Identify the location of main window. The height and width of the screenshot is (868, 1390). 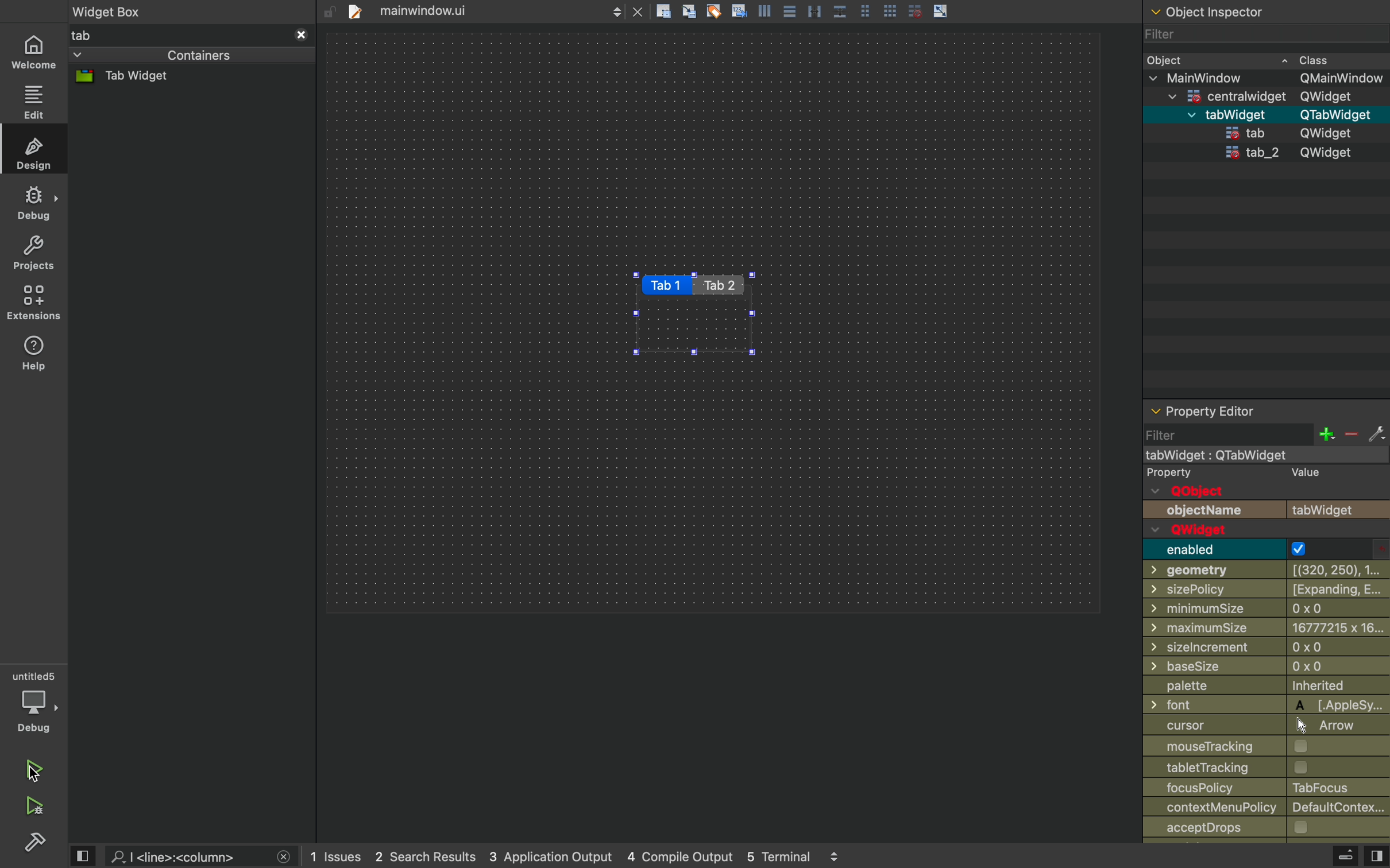
(1262, 79).